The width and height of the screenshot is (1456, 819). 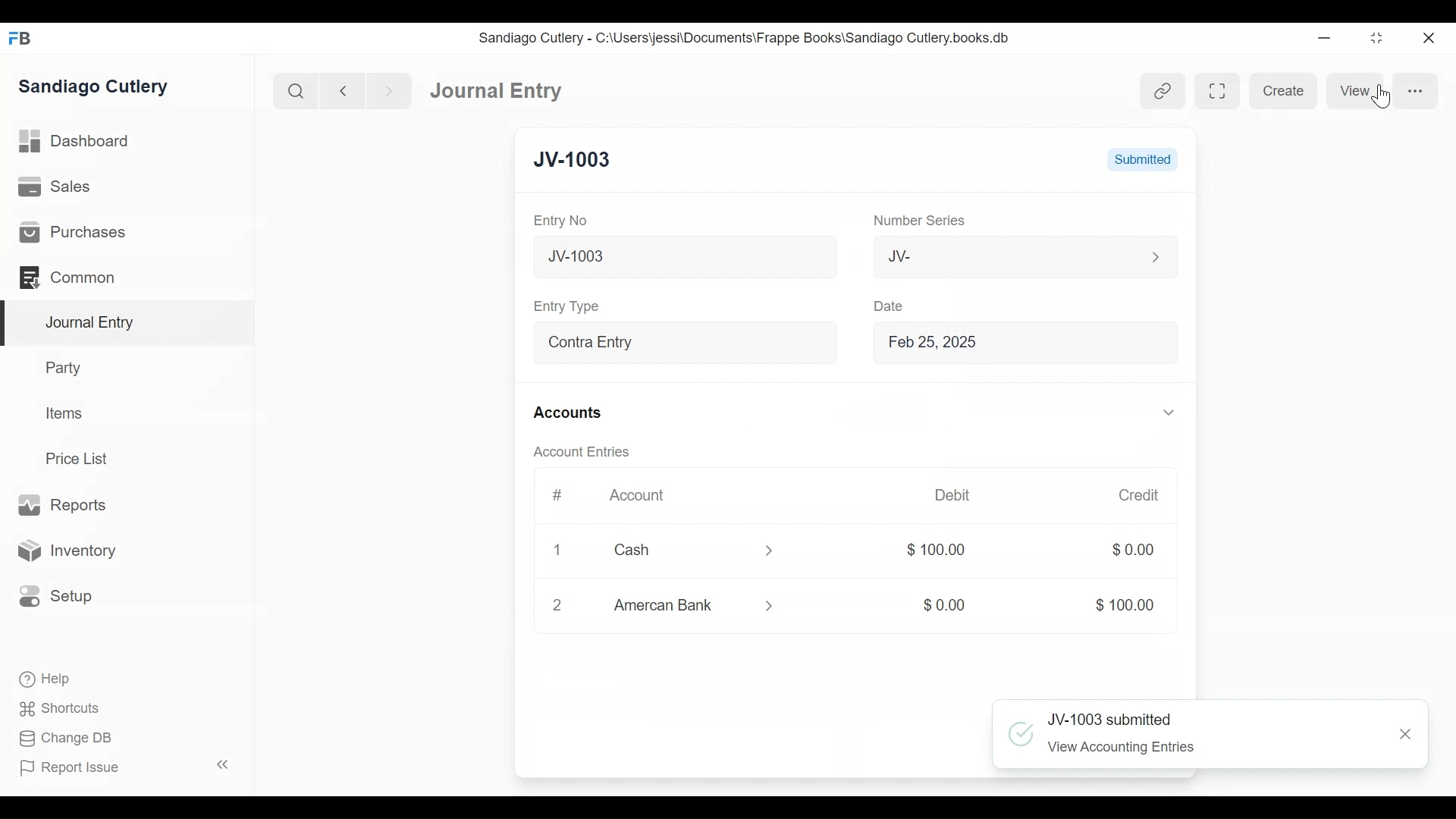 I want to click on JV-, so click(x=1001, y=256).